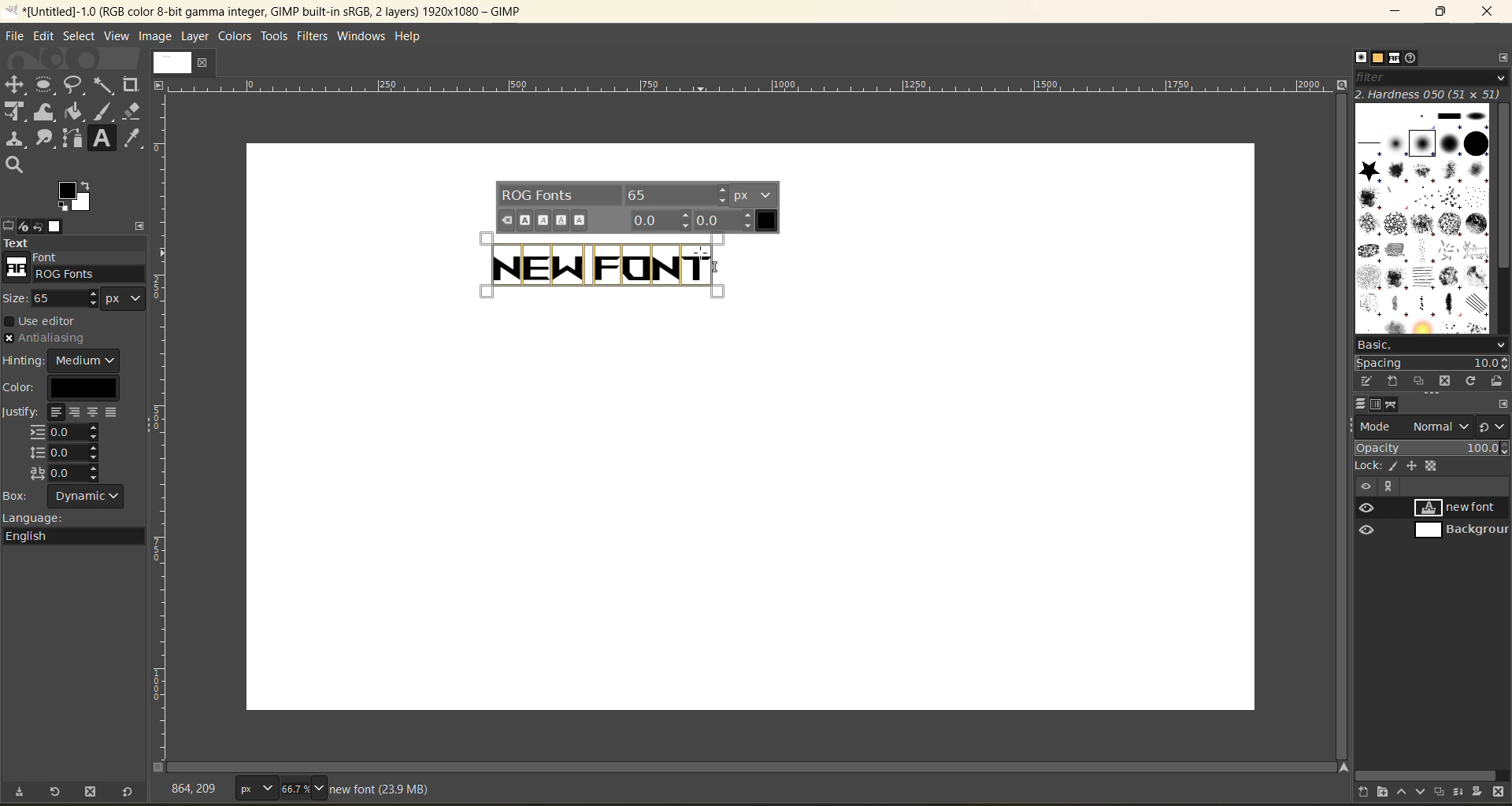 The width and height of the screenshot is (1512, 806). Describe the element at coordinates (198, 786) in the screenshot. I see `coordinates` at that location.